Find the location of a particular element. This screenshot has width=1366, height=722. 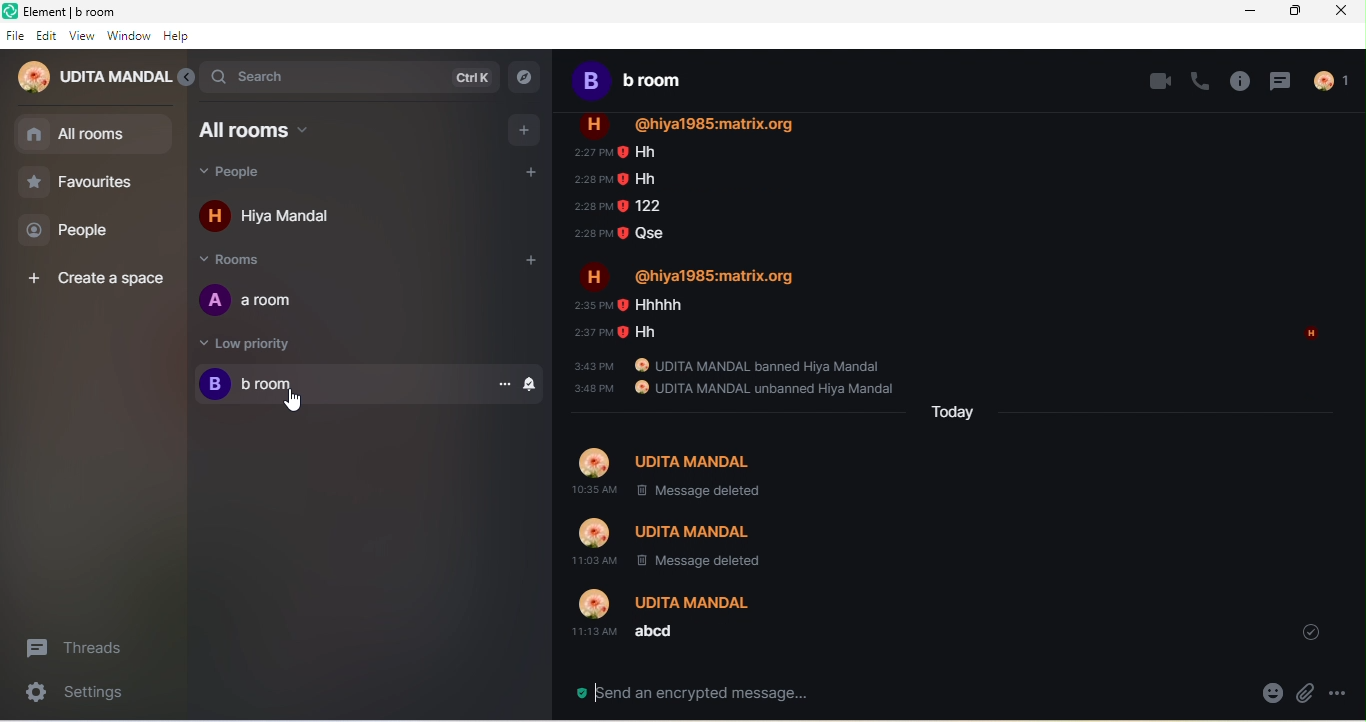

option is located at coordinates (1342, 694).